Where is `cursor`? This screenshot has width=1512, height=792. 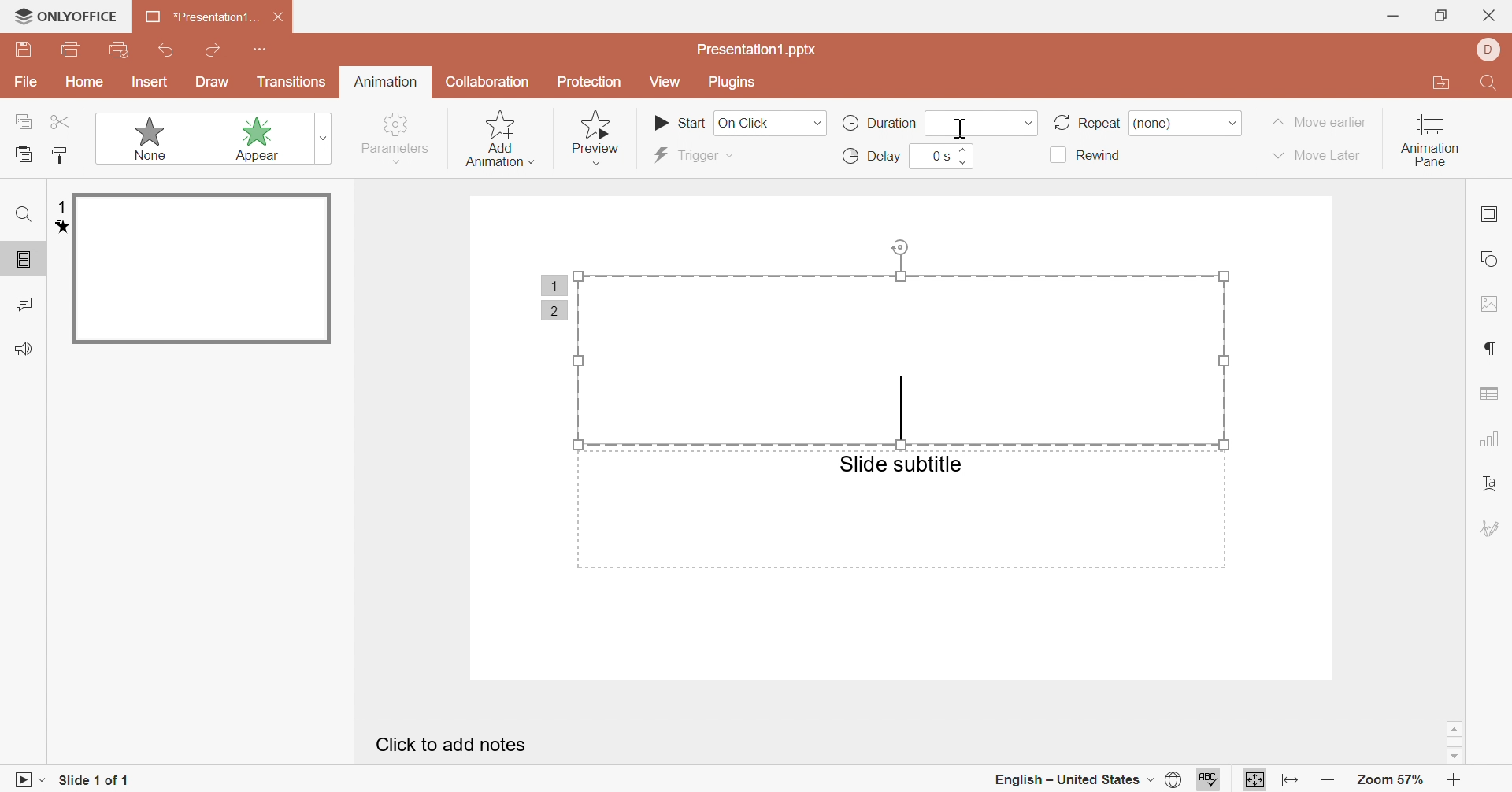
cursor is located at coordinates (962, 128).